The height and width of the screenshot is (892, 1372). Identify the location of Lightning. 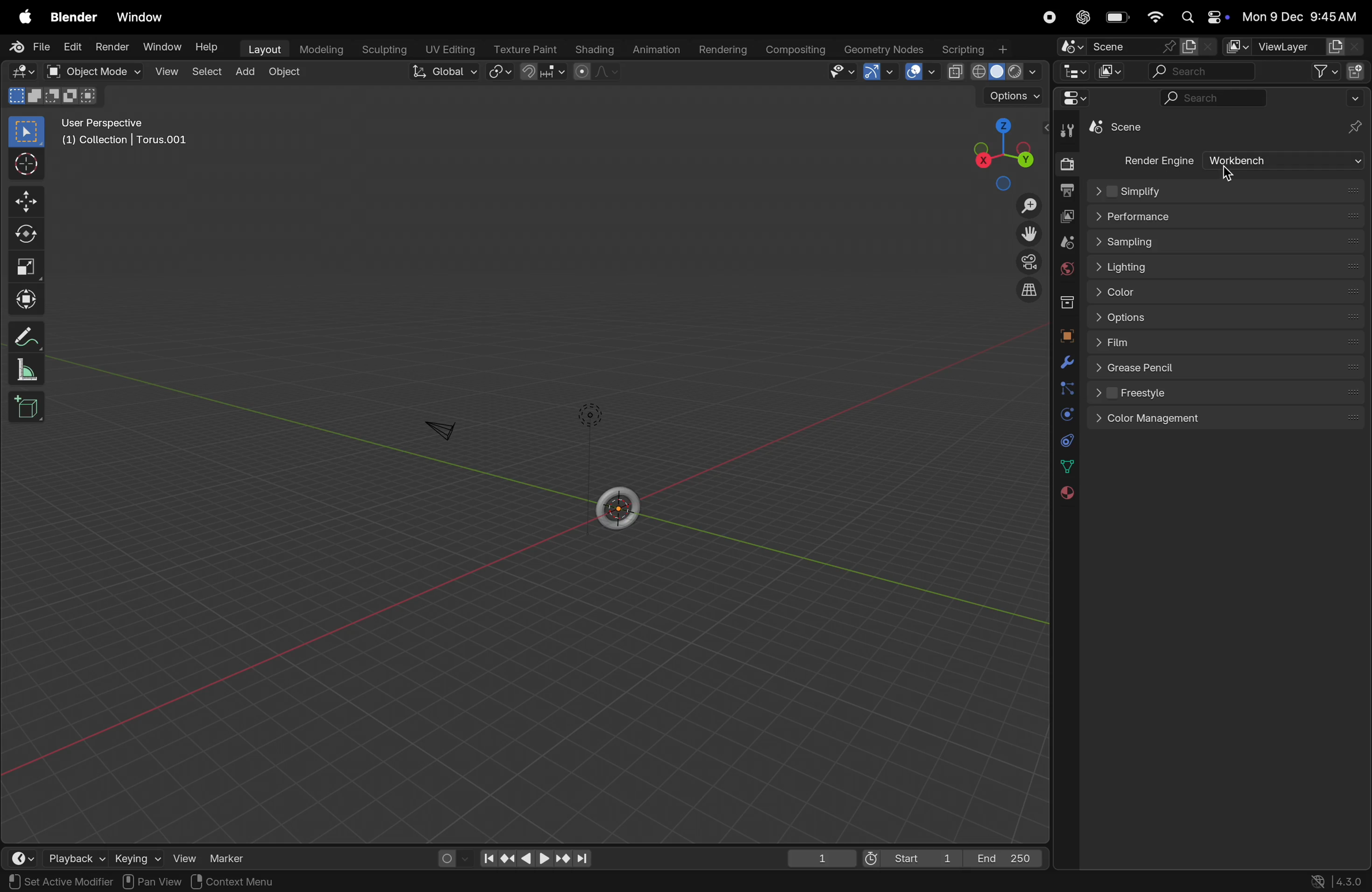
(1225, 265).